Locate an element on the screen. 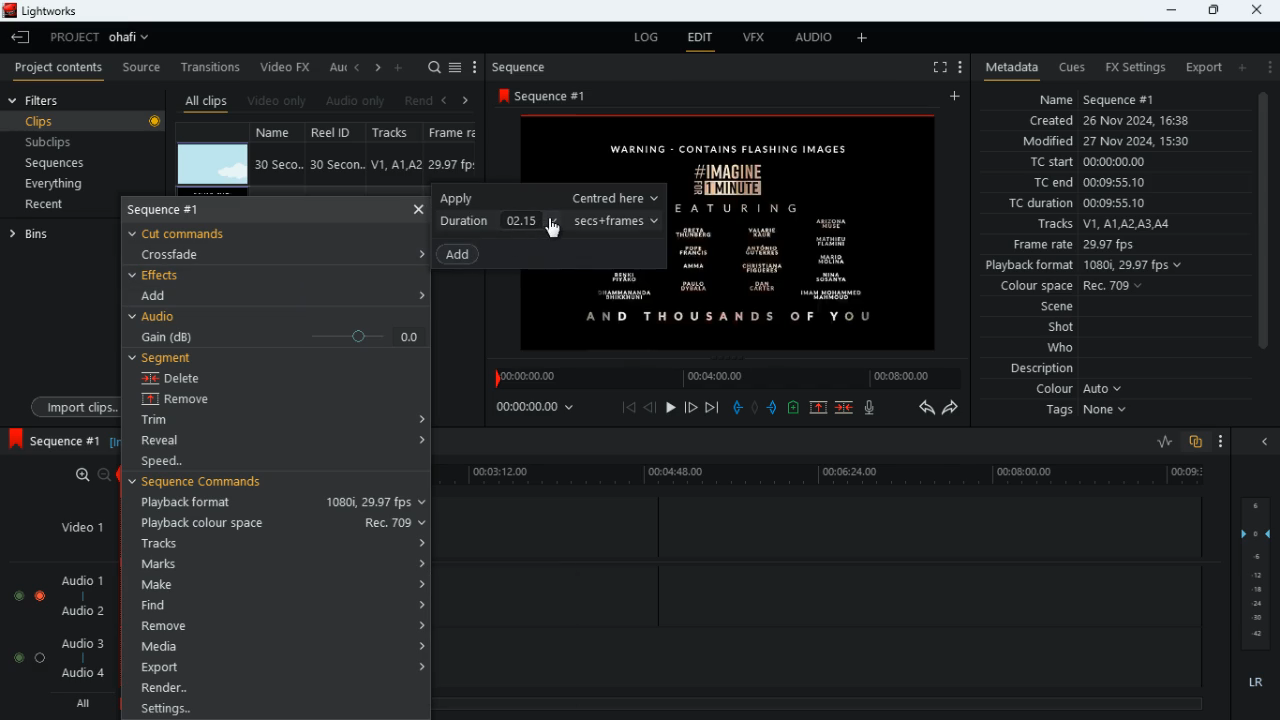  playback format is located at coordinates (278, 504).